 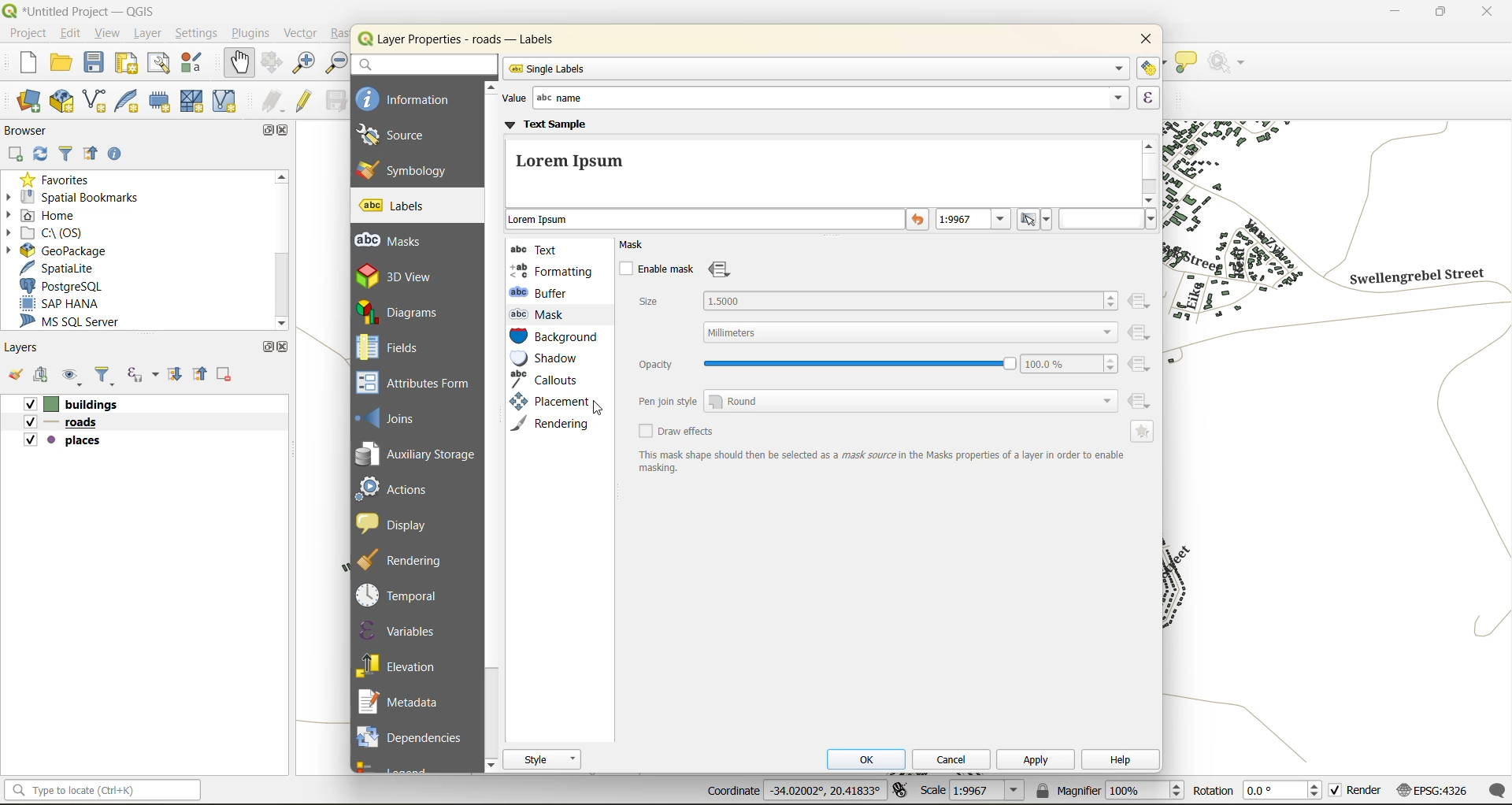 I want to click on pan to selection, so click(x=272, y=64).